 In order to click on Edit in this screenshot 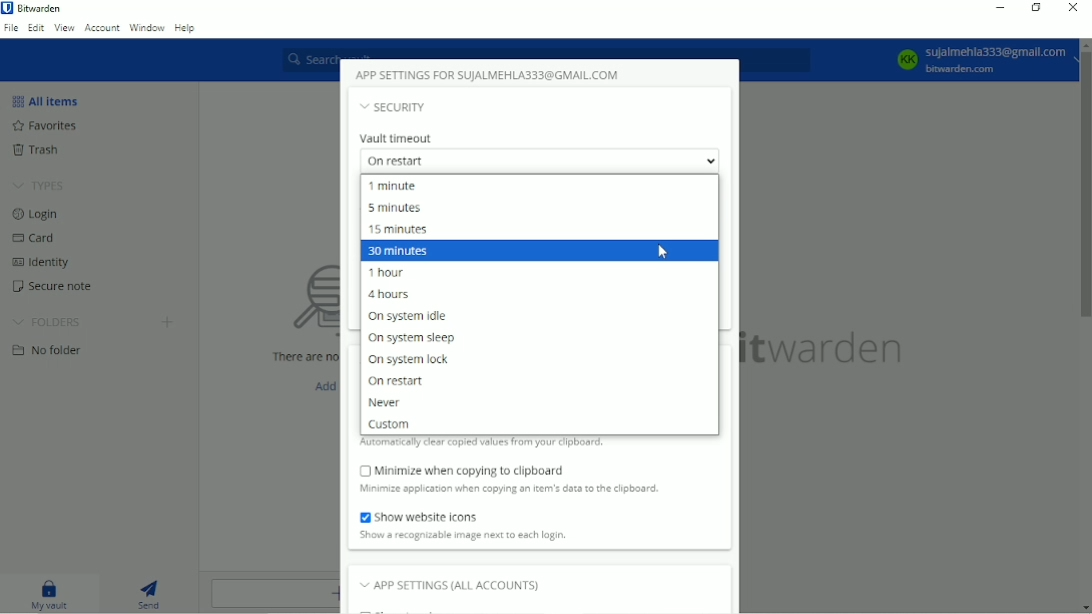, I will do `click(36, 29)`.